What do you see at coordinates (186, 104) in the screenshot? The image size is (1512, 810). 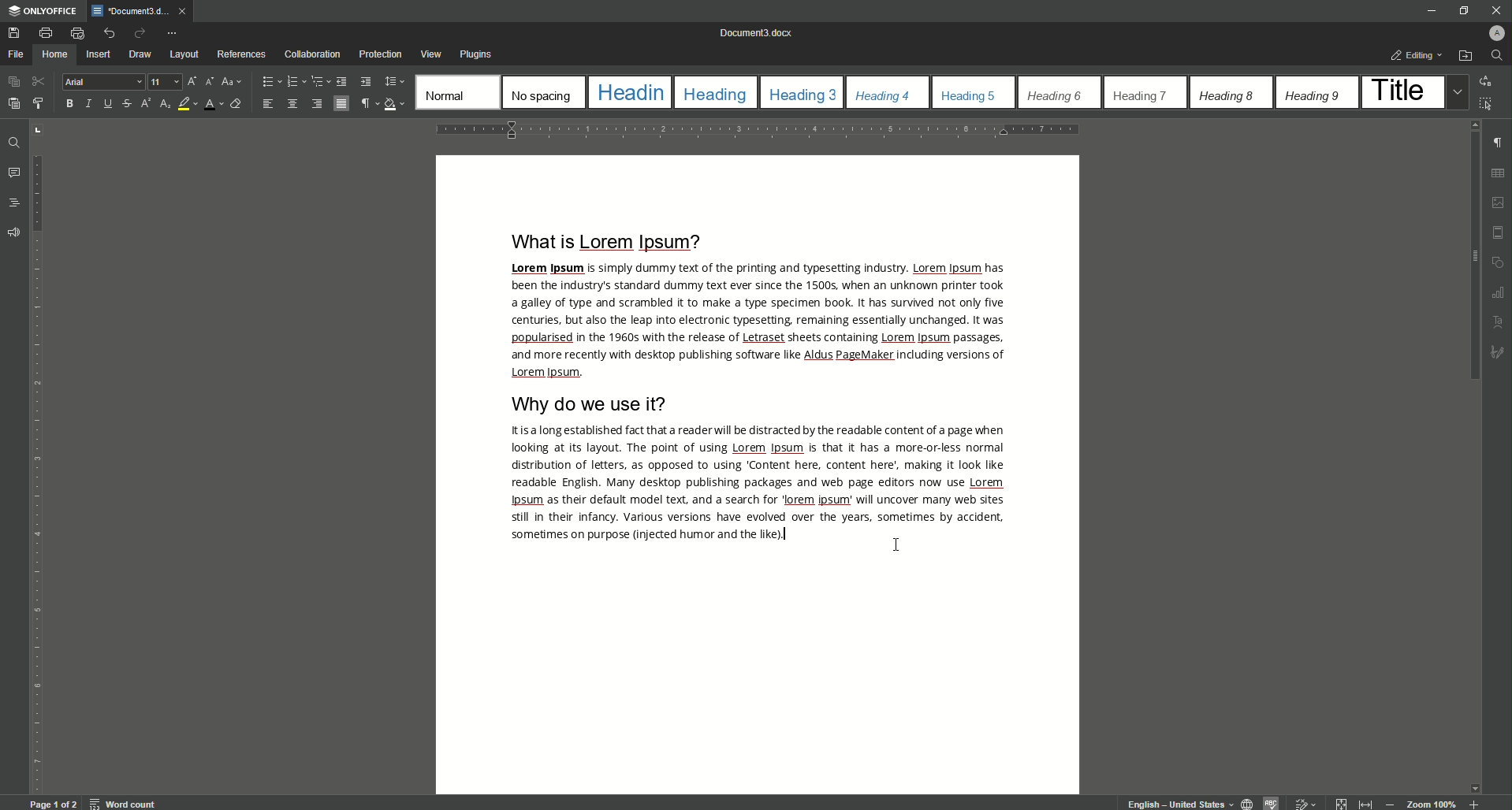 I see `Highlight Color` at bounding box center [186, 104].